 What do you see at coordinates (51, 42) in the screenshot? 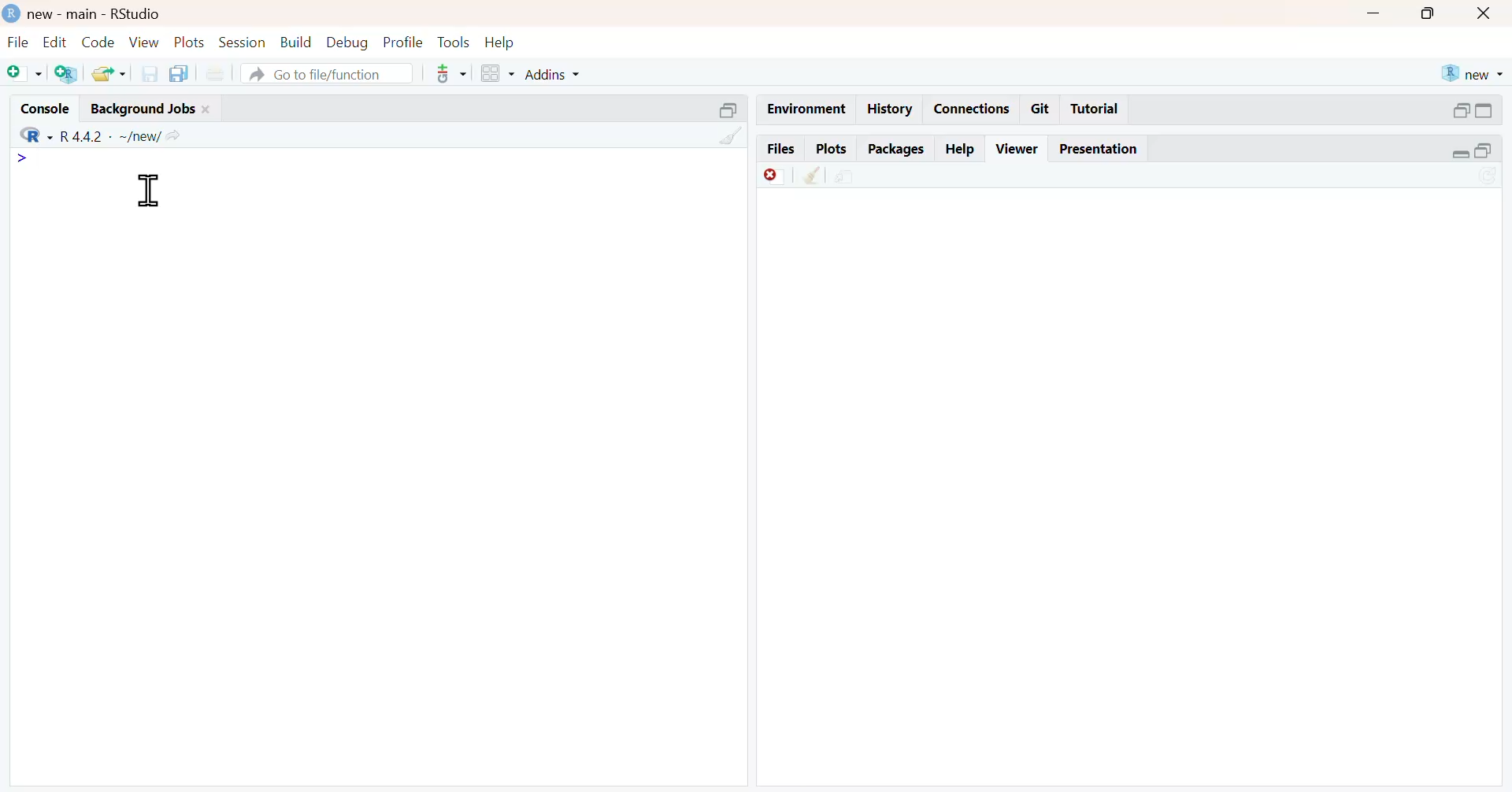
I see `edit` at bounding box center [51, 42].